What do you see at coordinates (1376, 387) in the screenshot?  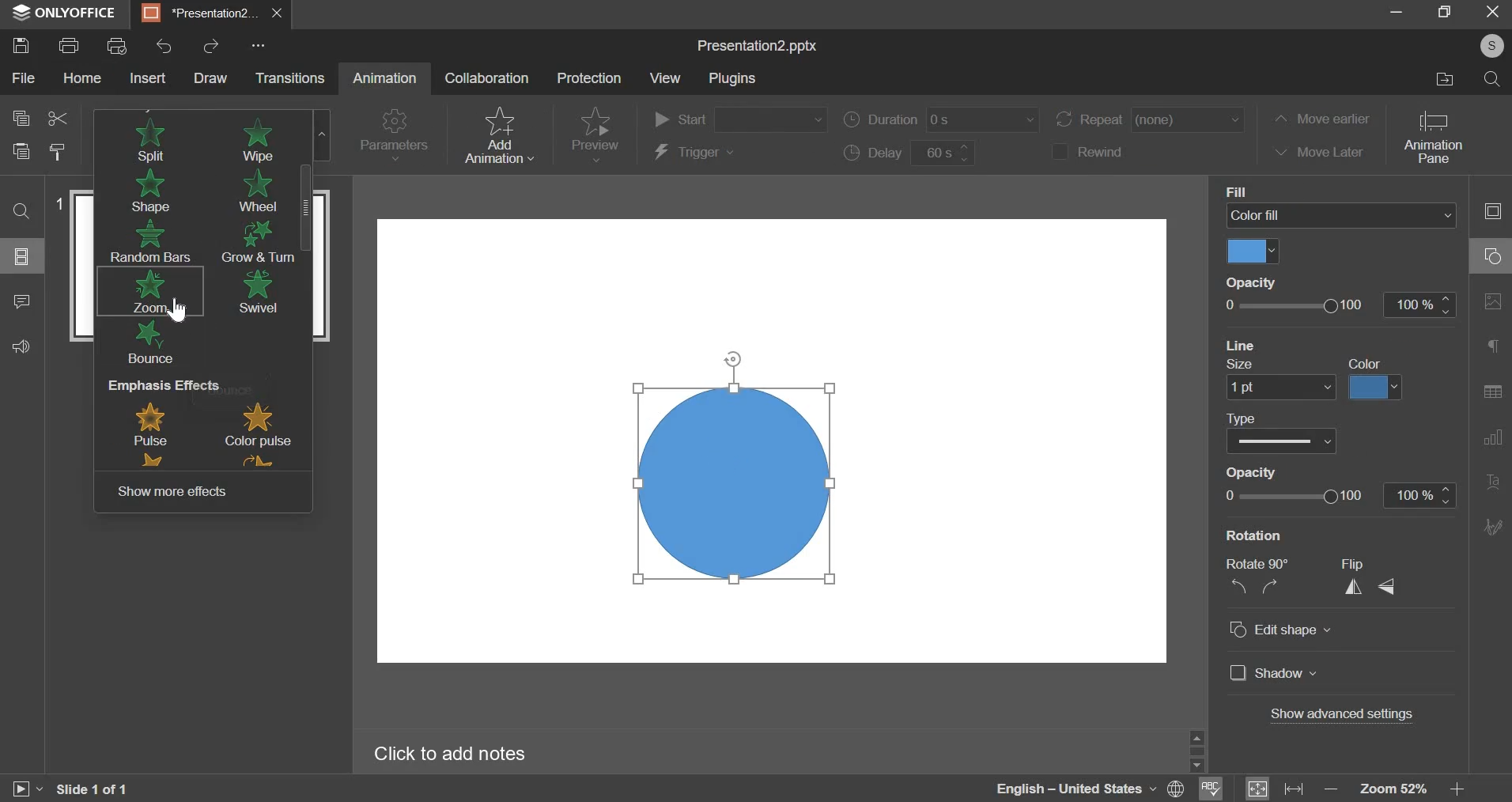 I see `line color` at bounding box center [1376, 387].